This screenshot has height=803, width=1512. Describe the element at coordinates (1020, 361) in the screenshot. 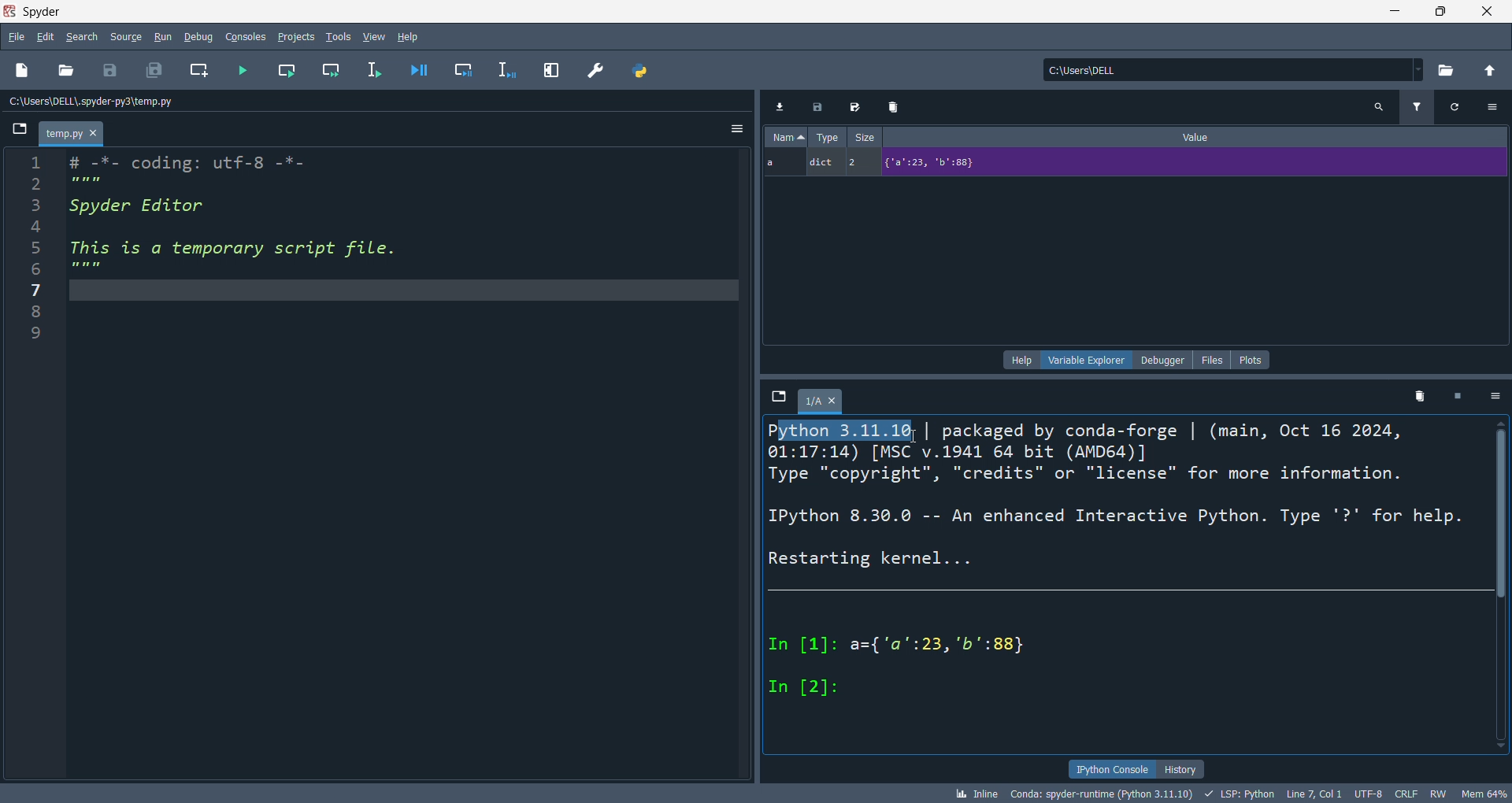

I see `help` at that location.